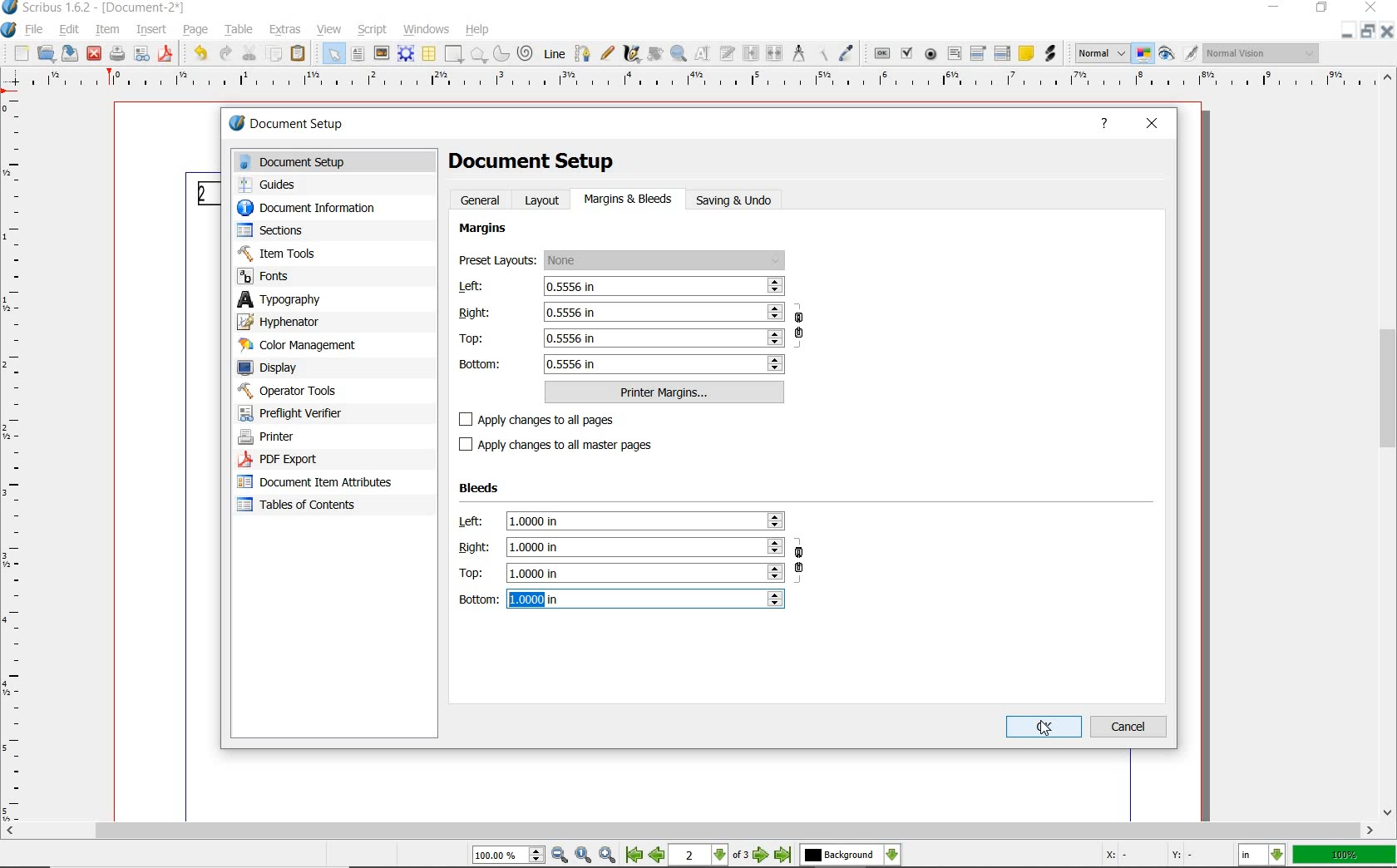 This screenshot has width=1397, height=868. Describe the element at coordinates (609, 856) in the screenshot. I see `Zoom In` at that location.